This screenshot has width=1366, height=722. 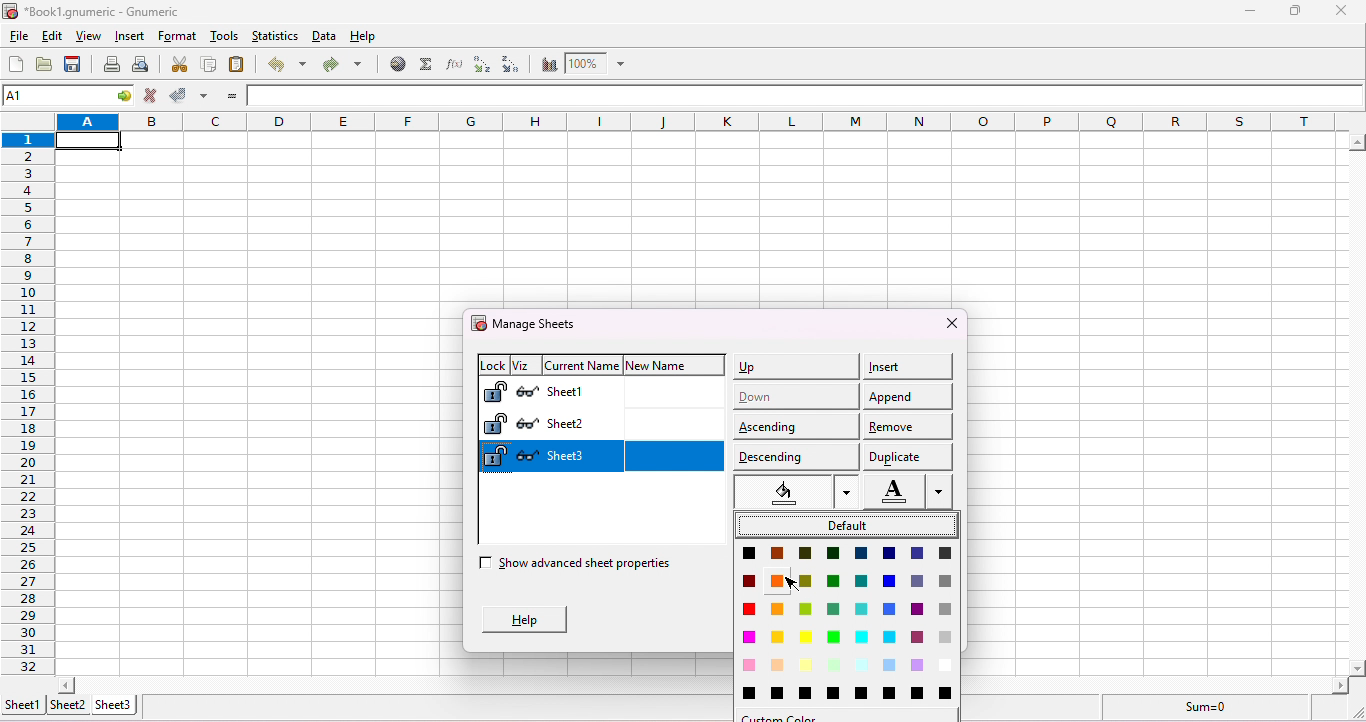 What do you see at coordinates (241, 67) in the screenshot?
I see `paste` at bounding box center [241, 67].